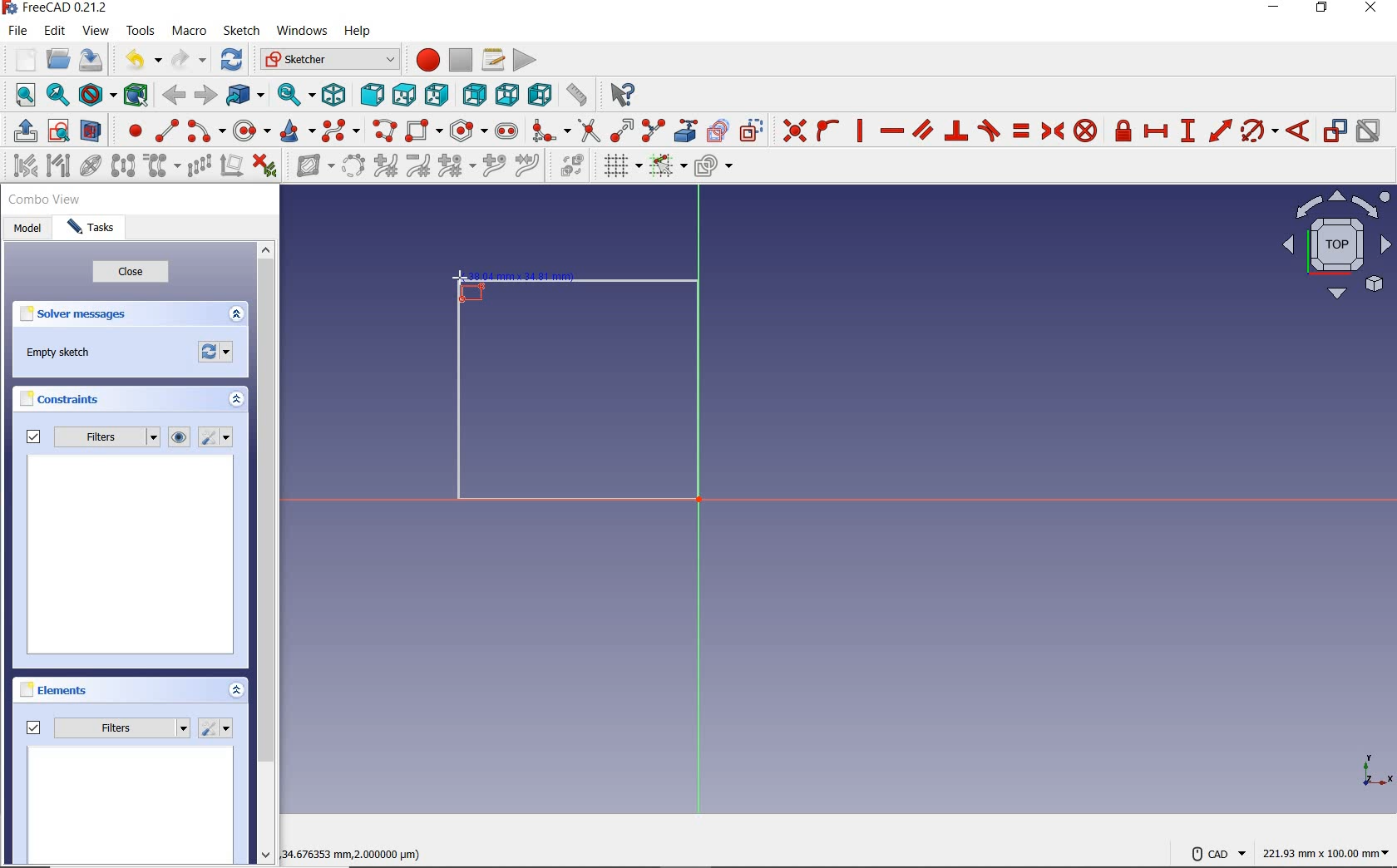 The height and width of the screenshot is (868, 1397). I want to click on constrain equal, so click(1020, 131).